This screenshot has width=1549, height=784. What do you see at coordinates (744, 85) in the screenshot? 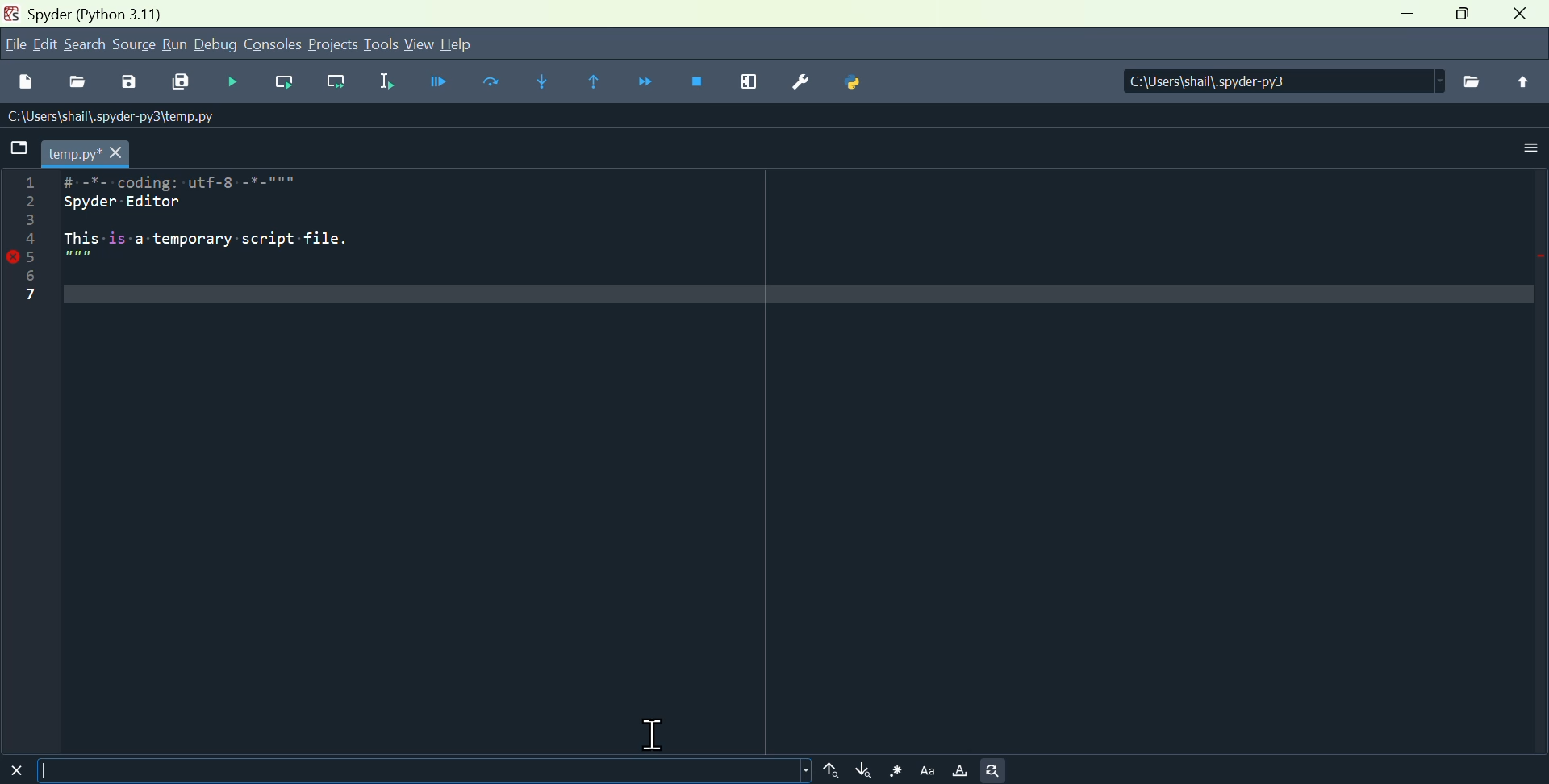
I see `Maximise current window` at bounding box center [744, 85].